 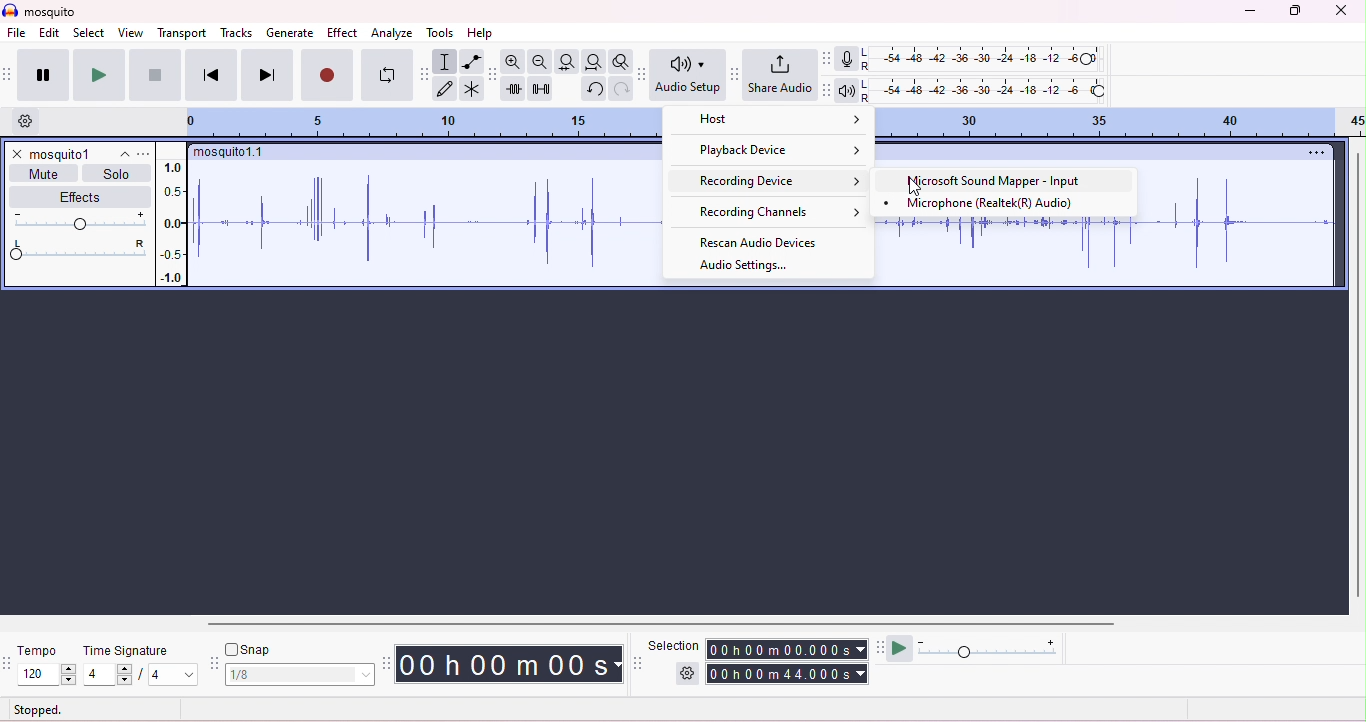 What do you see at coordinates (846, 60) in the screenshot?
I see `recording meter` at bounding box center [846, 60].